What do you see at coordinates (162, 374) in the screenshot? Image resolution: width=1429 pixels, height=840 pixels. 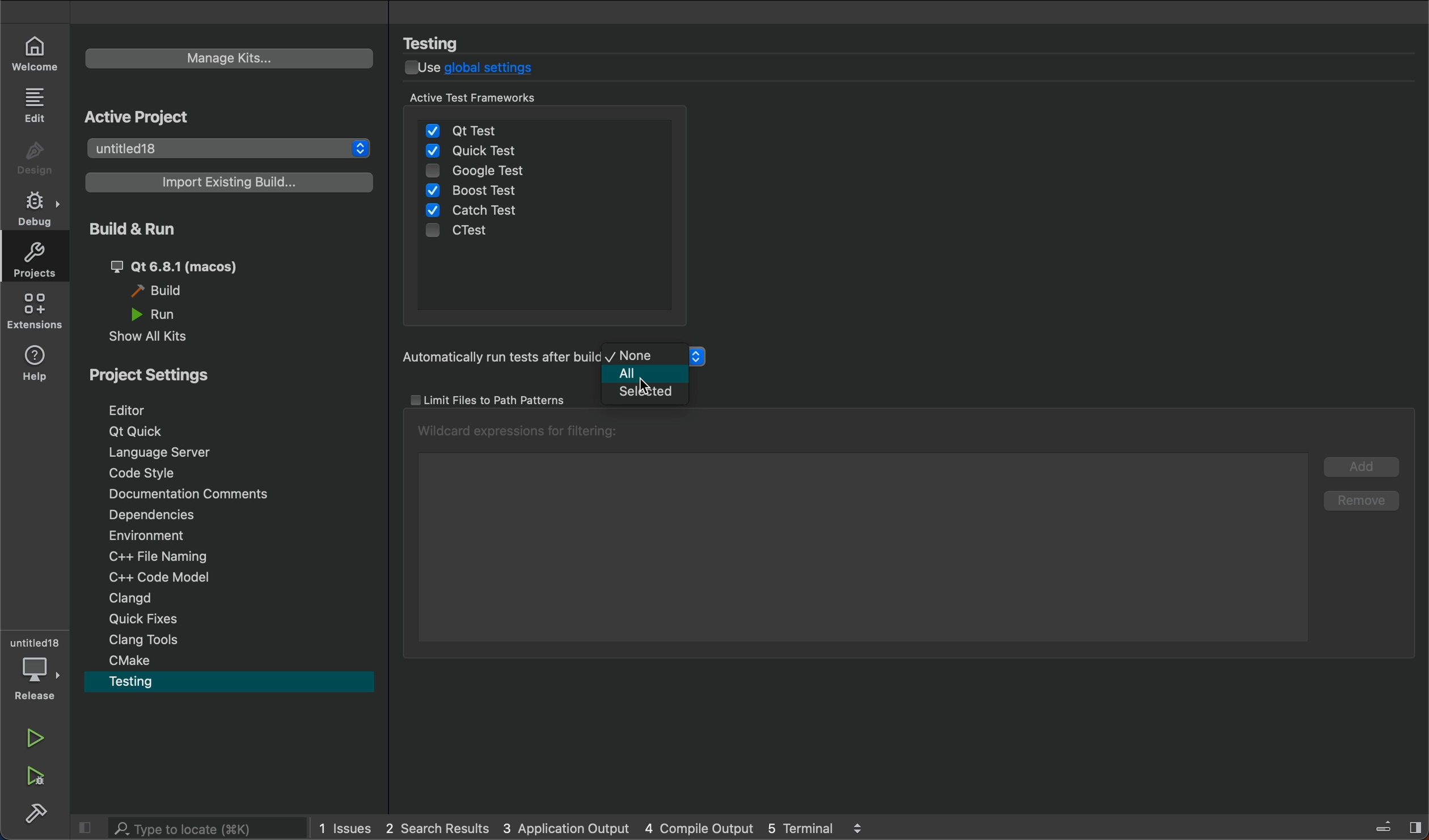 I see `project settings` at bounding box center [162, 374].